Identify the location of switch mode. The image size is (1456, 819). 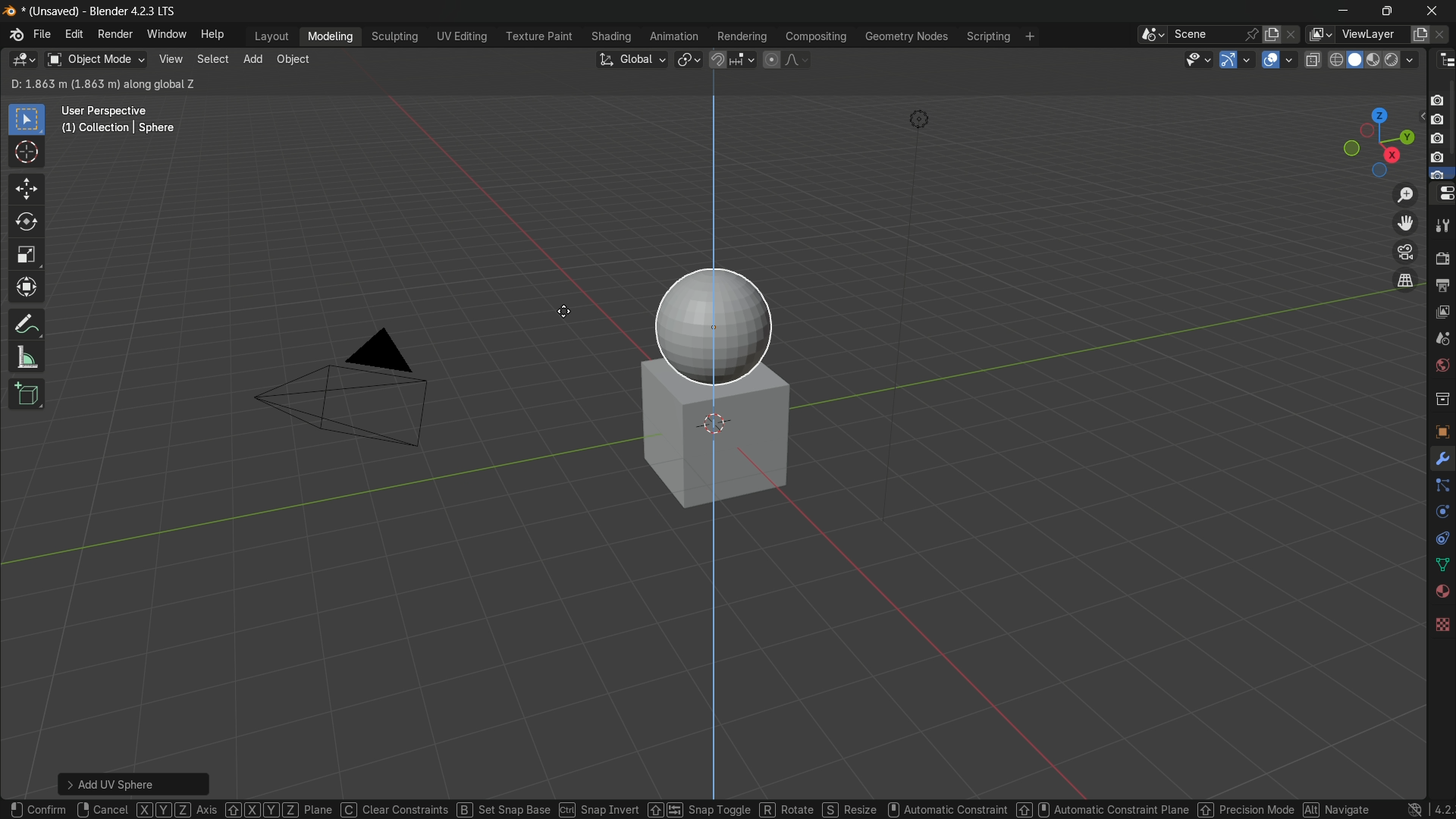
(94, 59).